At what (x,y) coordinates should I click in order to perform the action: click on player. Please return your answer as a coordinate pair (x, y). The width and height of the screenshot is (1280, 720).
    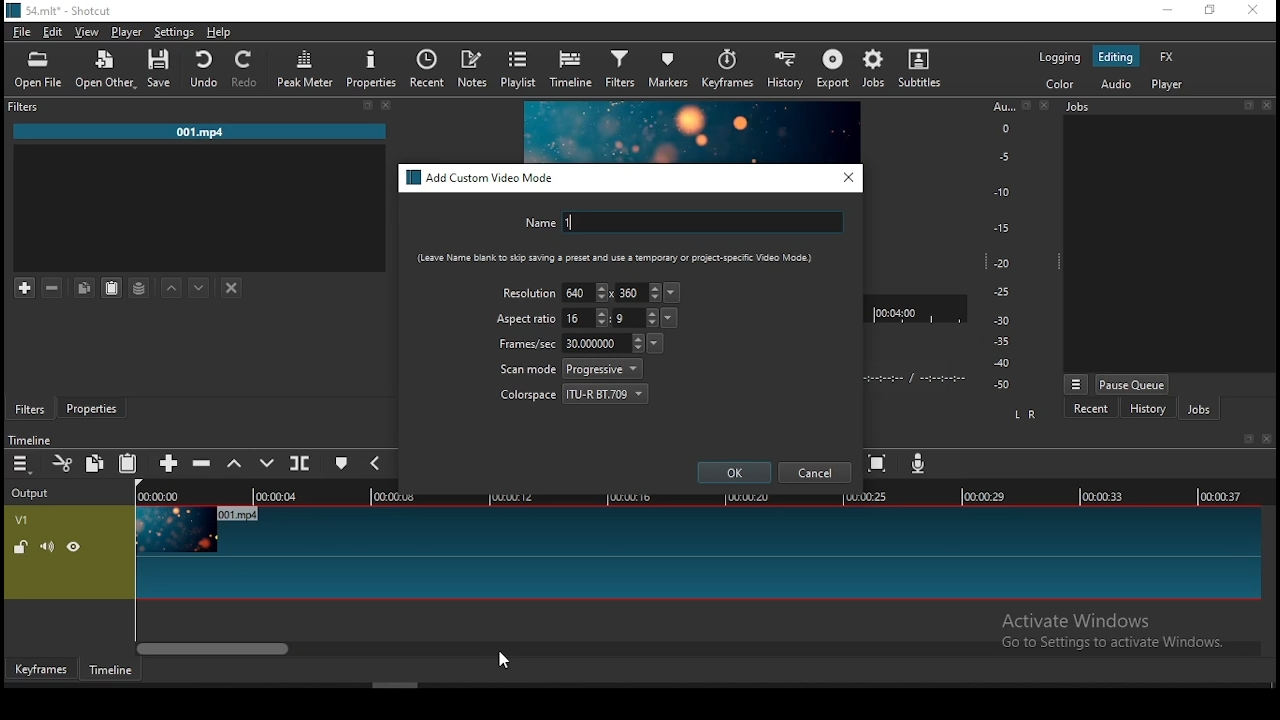
    Looking at the image, I should click on (1170, 85).